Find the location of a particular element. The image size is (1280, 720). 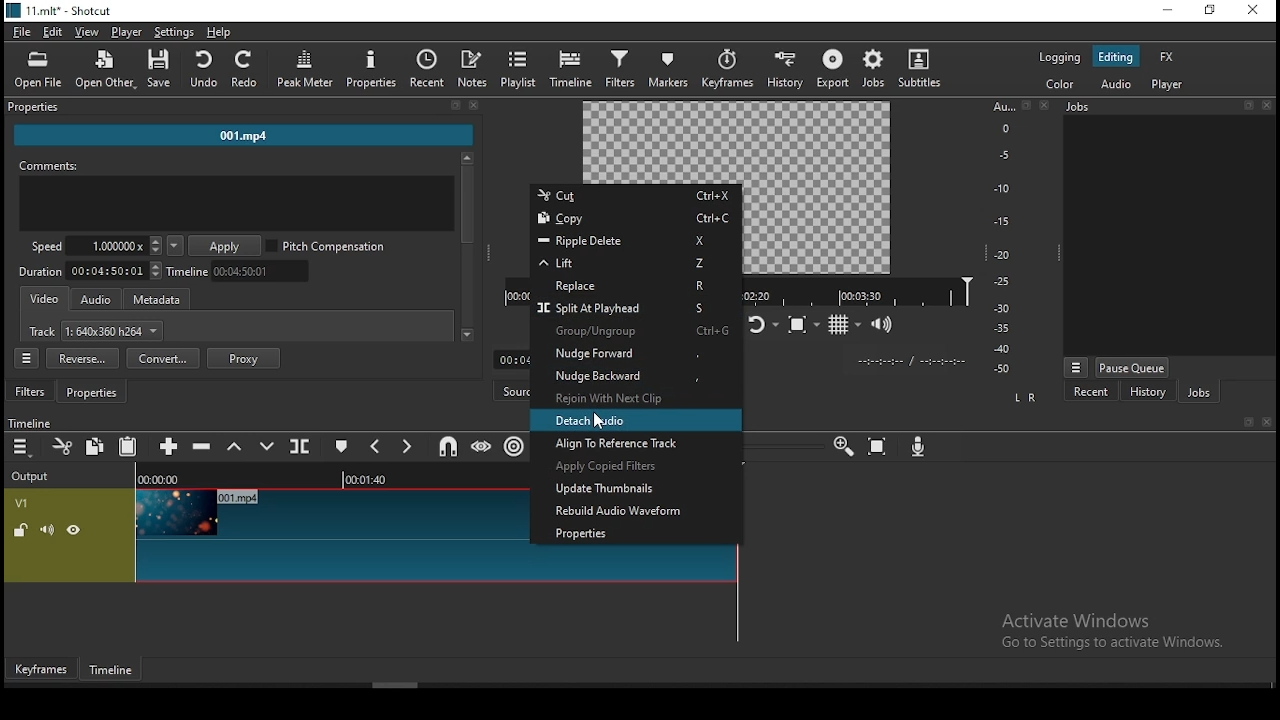

(un)mute is located at coordinates (50, 529).